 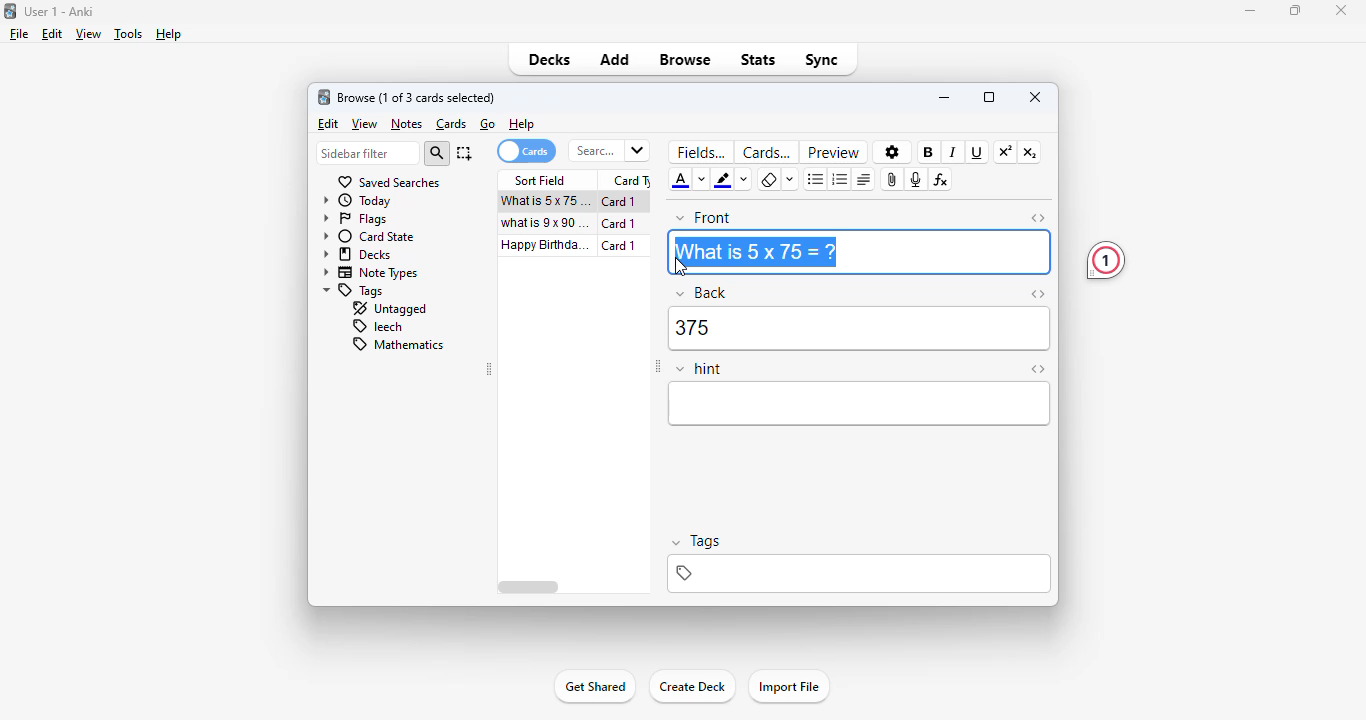 What do you see at coordinates (1296, 10) in the screenshot?
I see `maximize` at bounding box center [1296, 10].